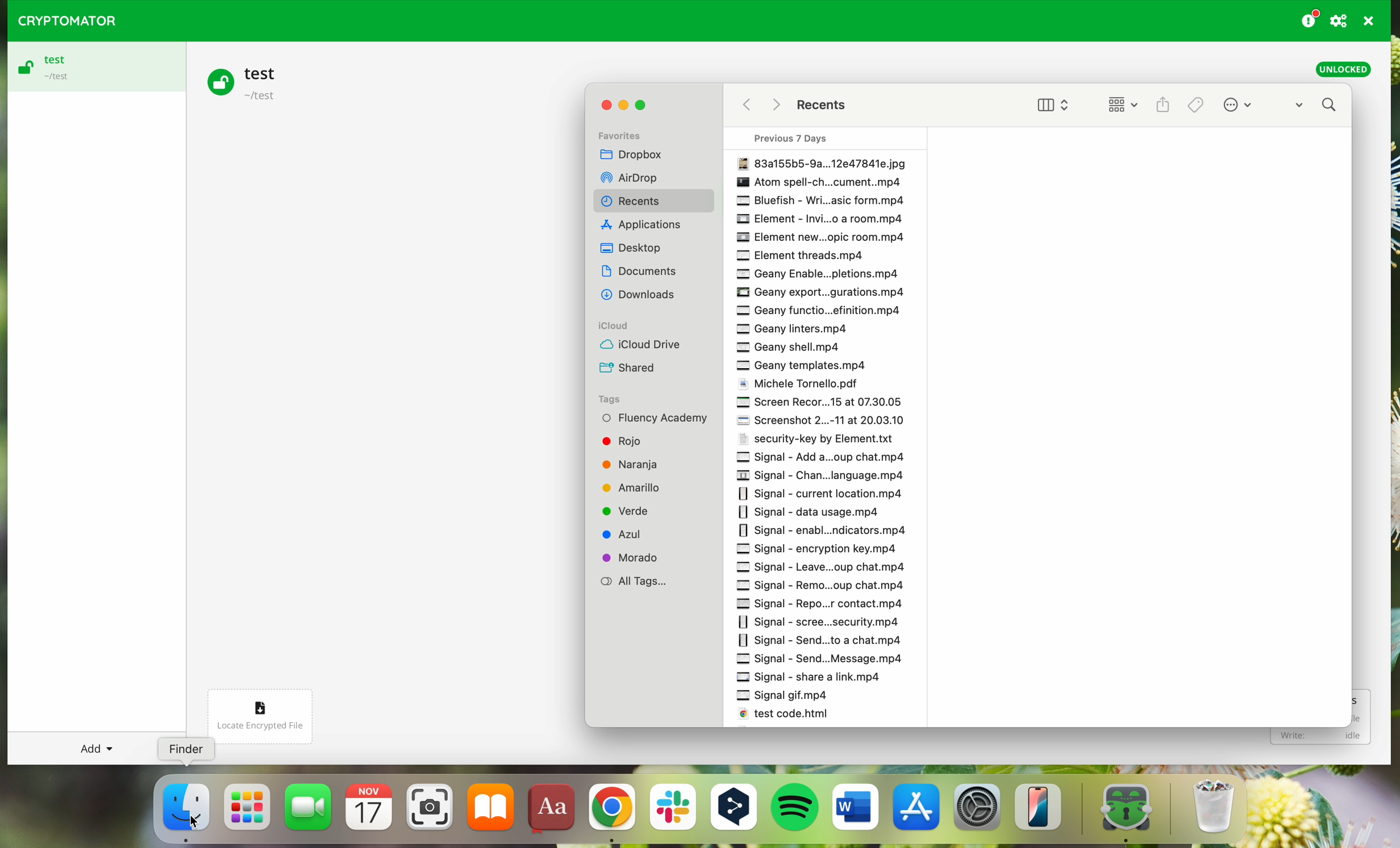  Describe the element at coordinates (821, 237) in the screenshot. I see `Element new` at that location.